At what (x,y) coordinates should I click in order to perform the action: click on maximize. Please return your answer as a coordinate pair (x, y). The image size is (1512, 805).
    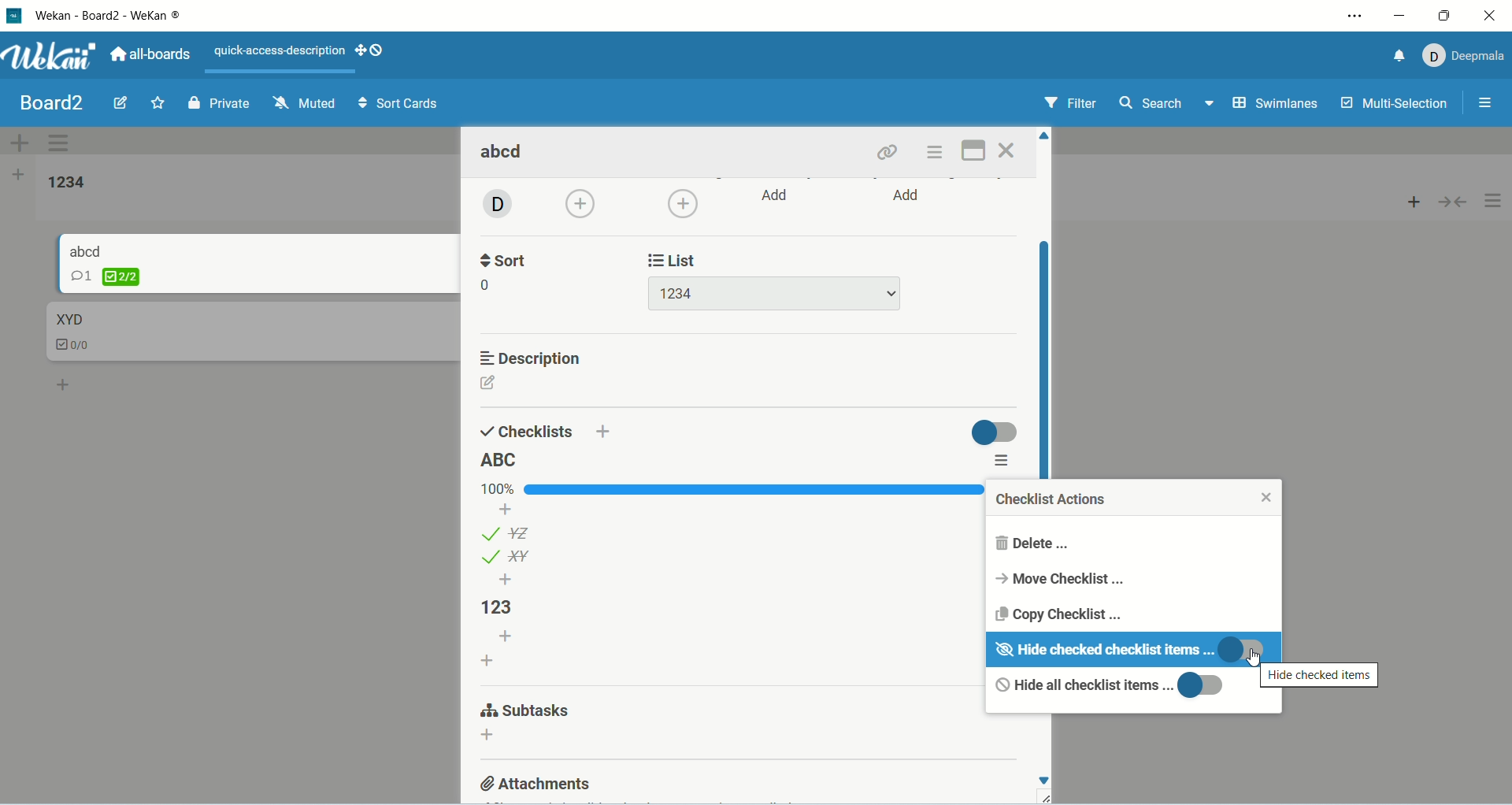
    Looking at the image, I should click on (1442, 16).